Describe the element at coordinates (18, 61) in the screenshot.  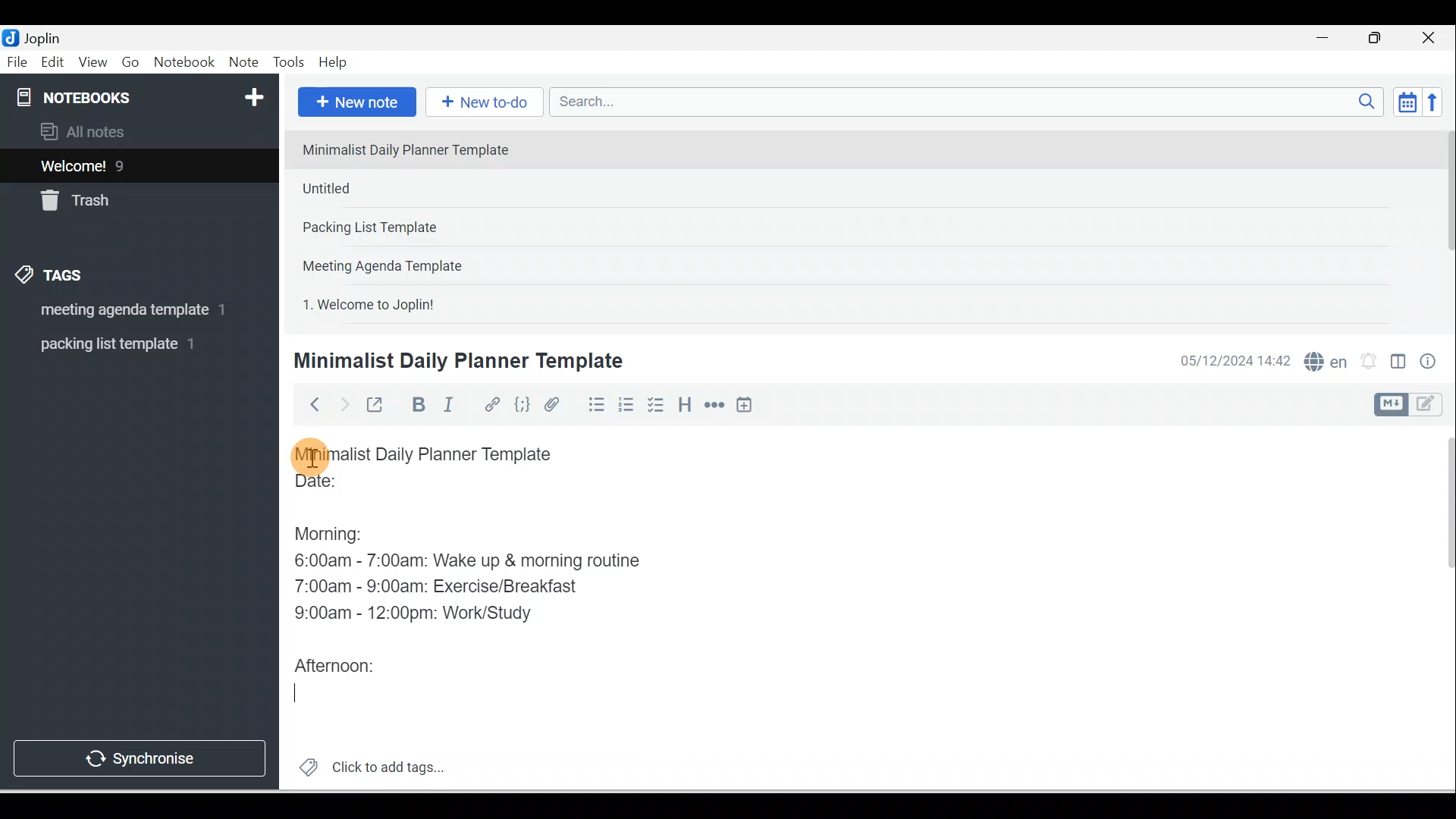
I see `File` at that location.